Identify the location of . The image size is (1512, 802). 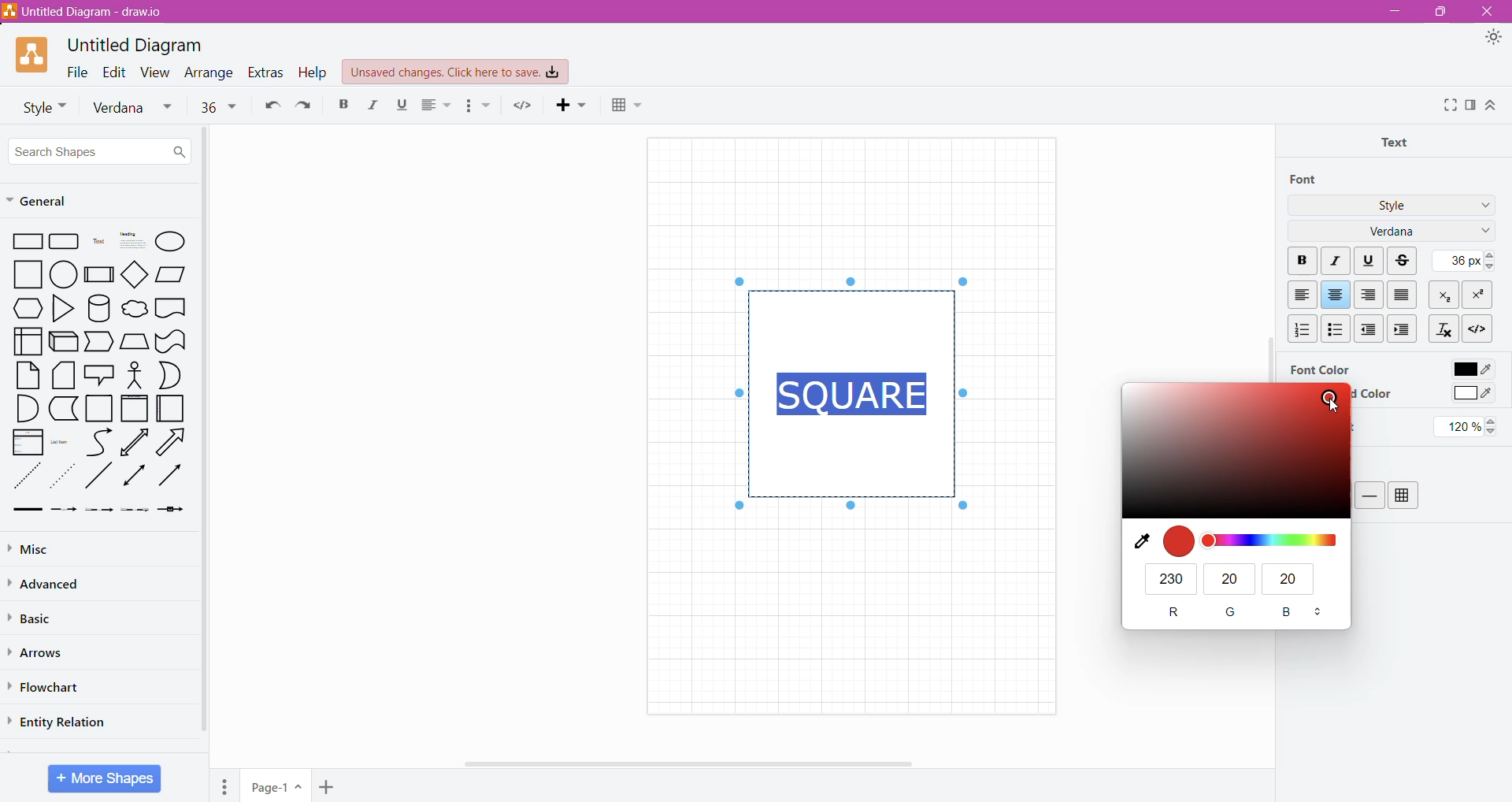
(1394, 231).